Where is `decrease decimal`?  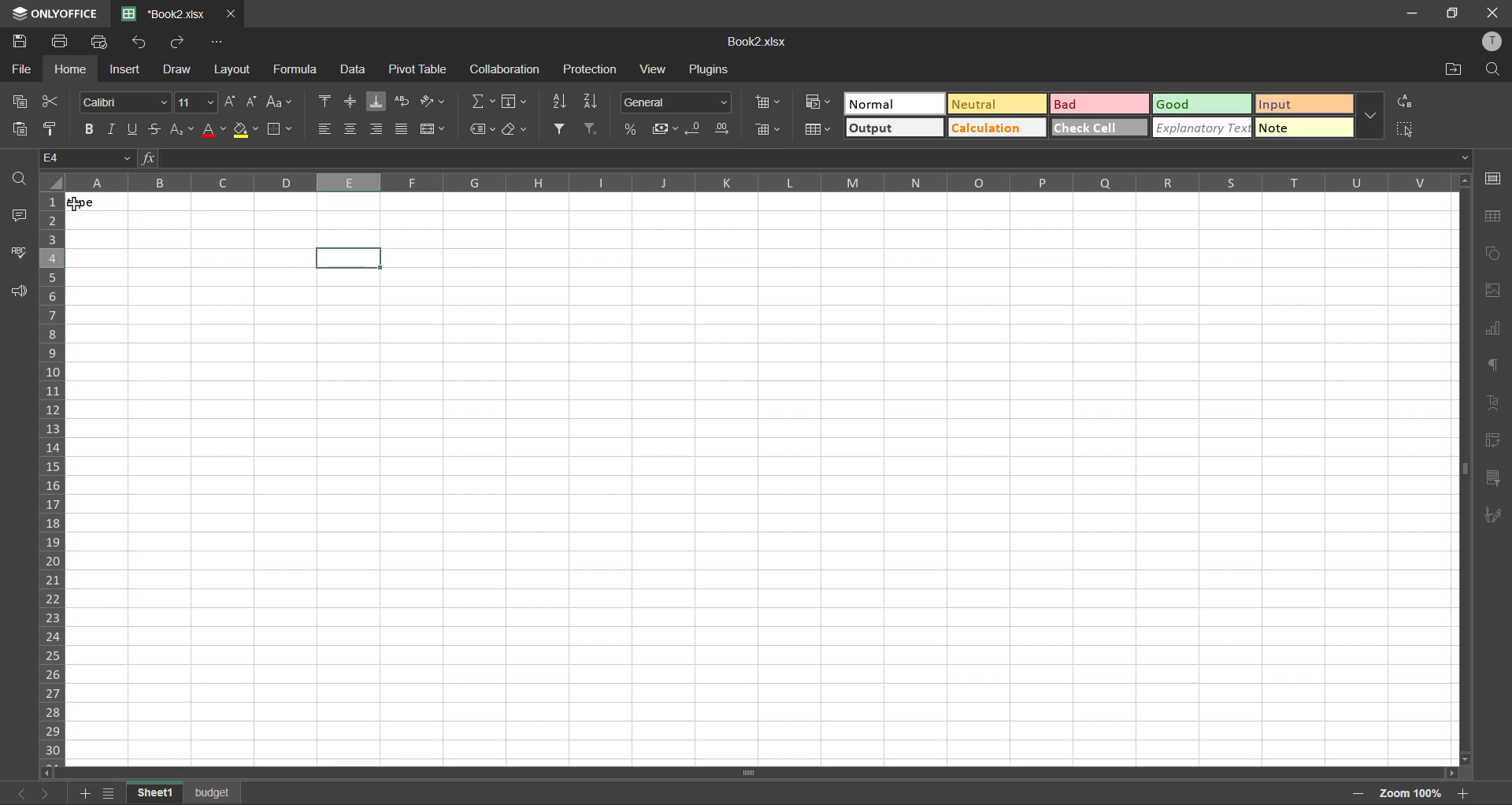
decrease decimal is located at coordinates (694, 129).